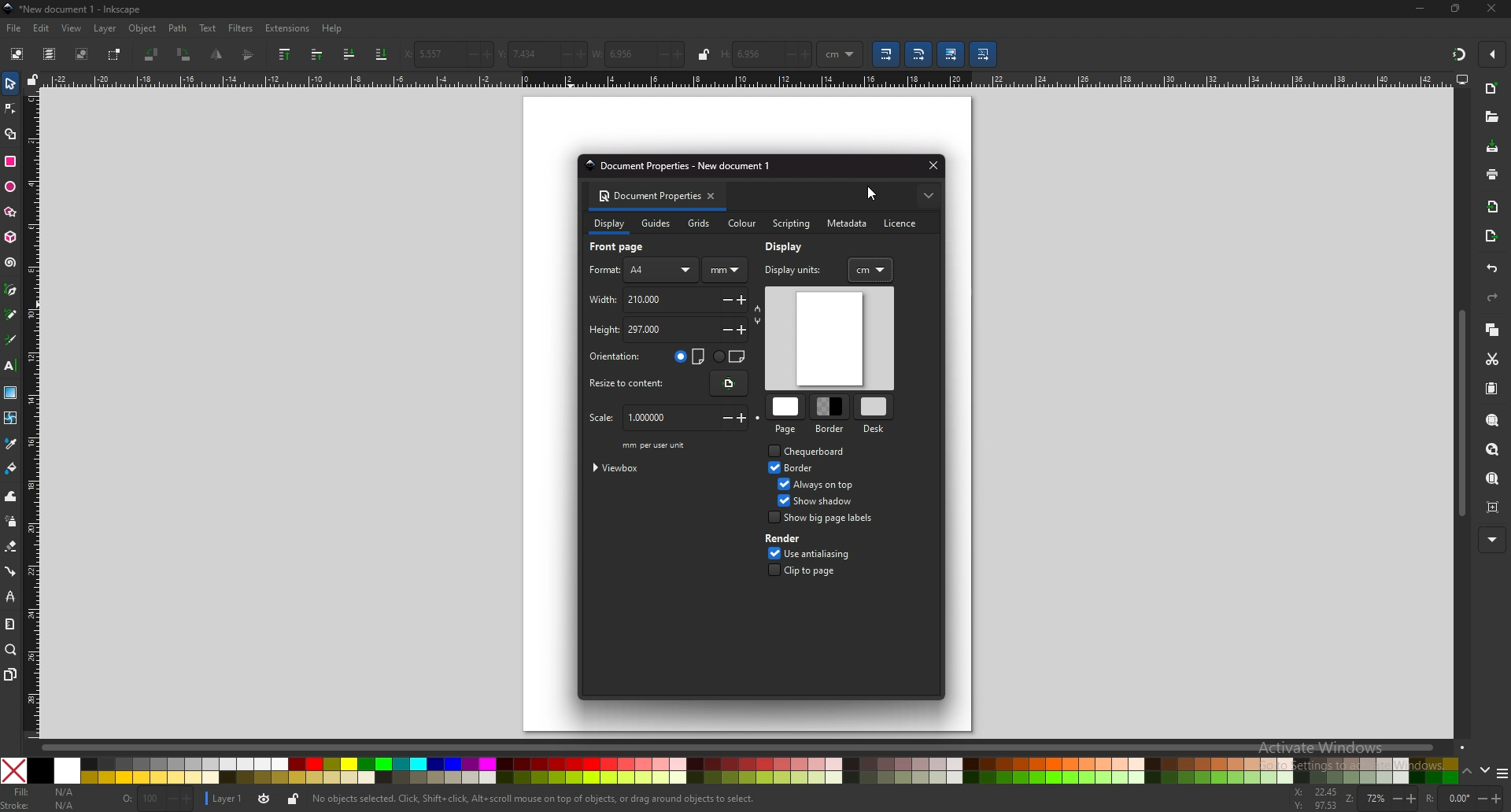  What do you see at coordinates (704, 54) in the screenshot?
I see `lock` at bounding box center [704, 54].